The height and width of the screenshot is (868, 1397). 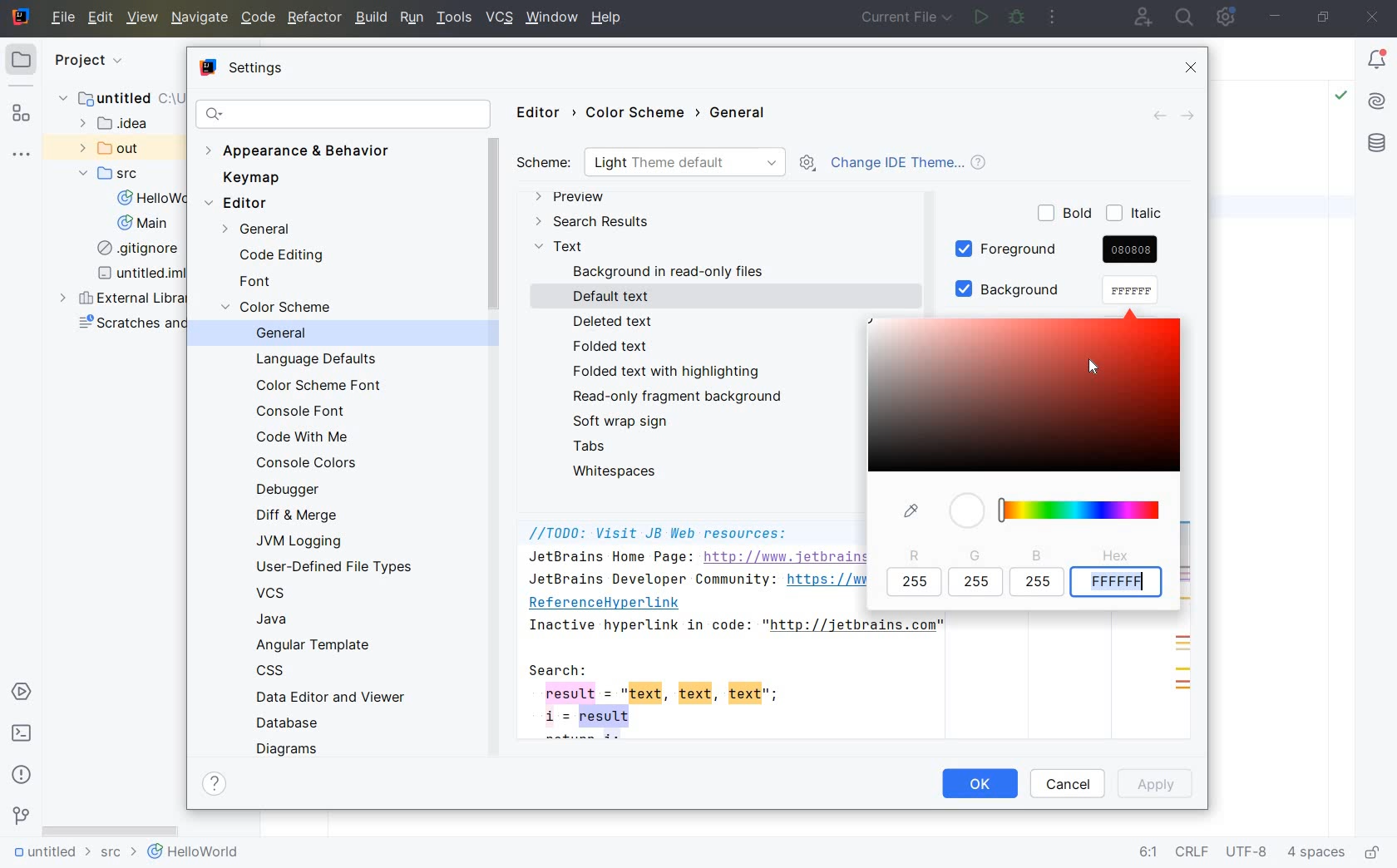 What do you see at coordinates (272, 593) in the screenshot?
I see `VCS` at bounding box center [272, 593].